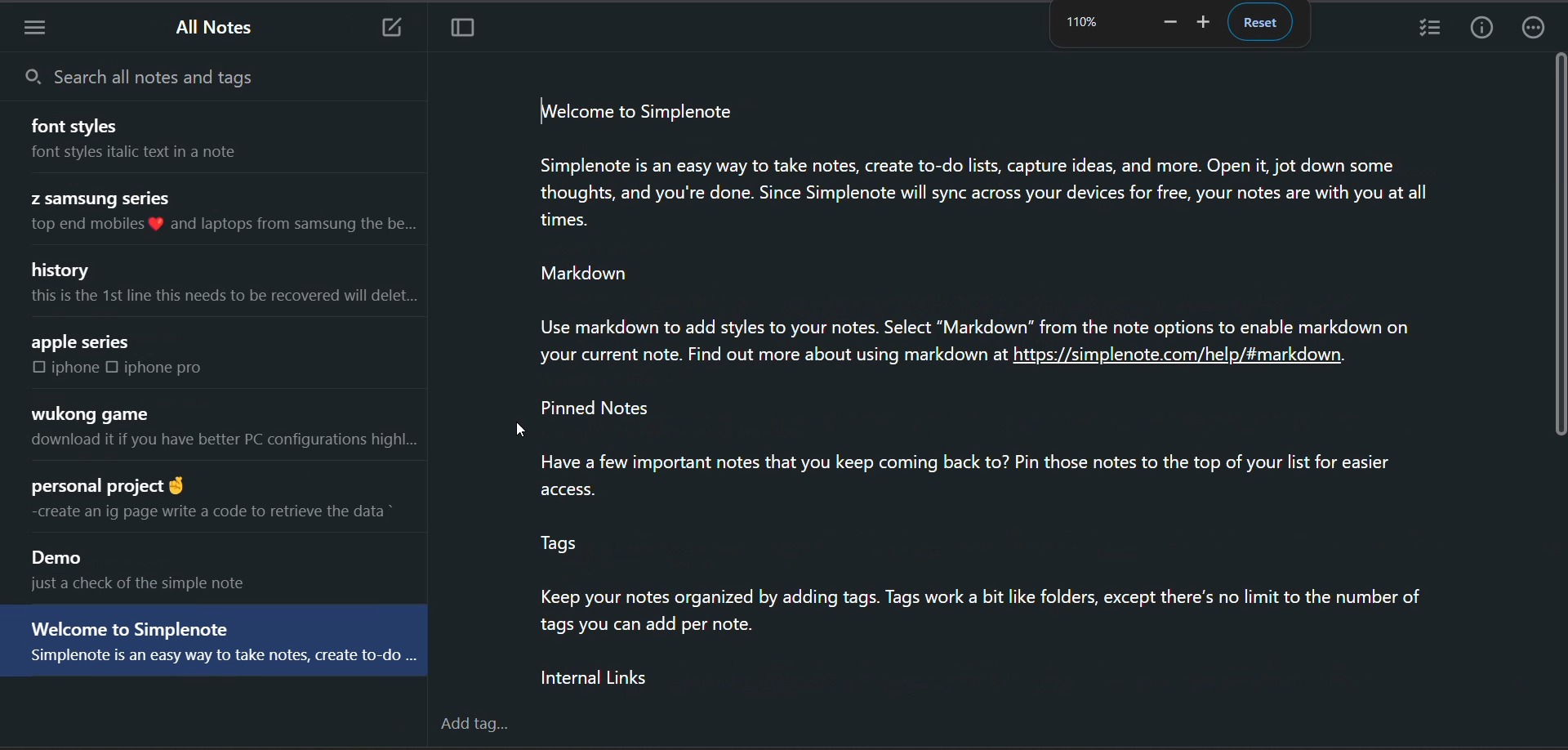 The height and width of the screenshot is (750, 1568). What do you see at coordinates (214, 663) in the screenshot?
I see `Simplenote is an easy way to take notes, create to-do ...` at bounding box center [214, 663].